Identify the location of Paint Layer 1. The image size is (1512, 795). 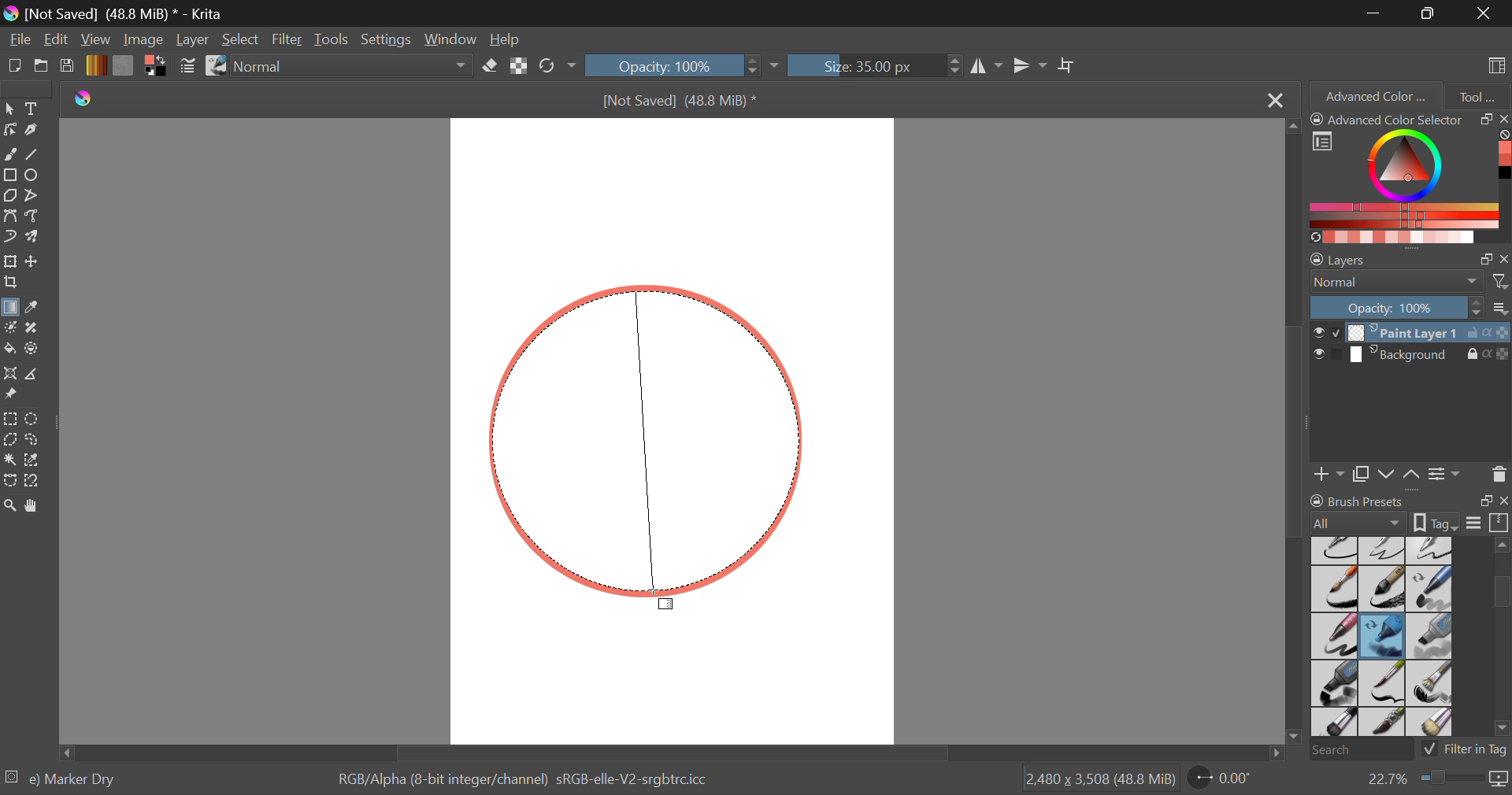
(1411, 331).